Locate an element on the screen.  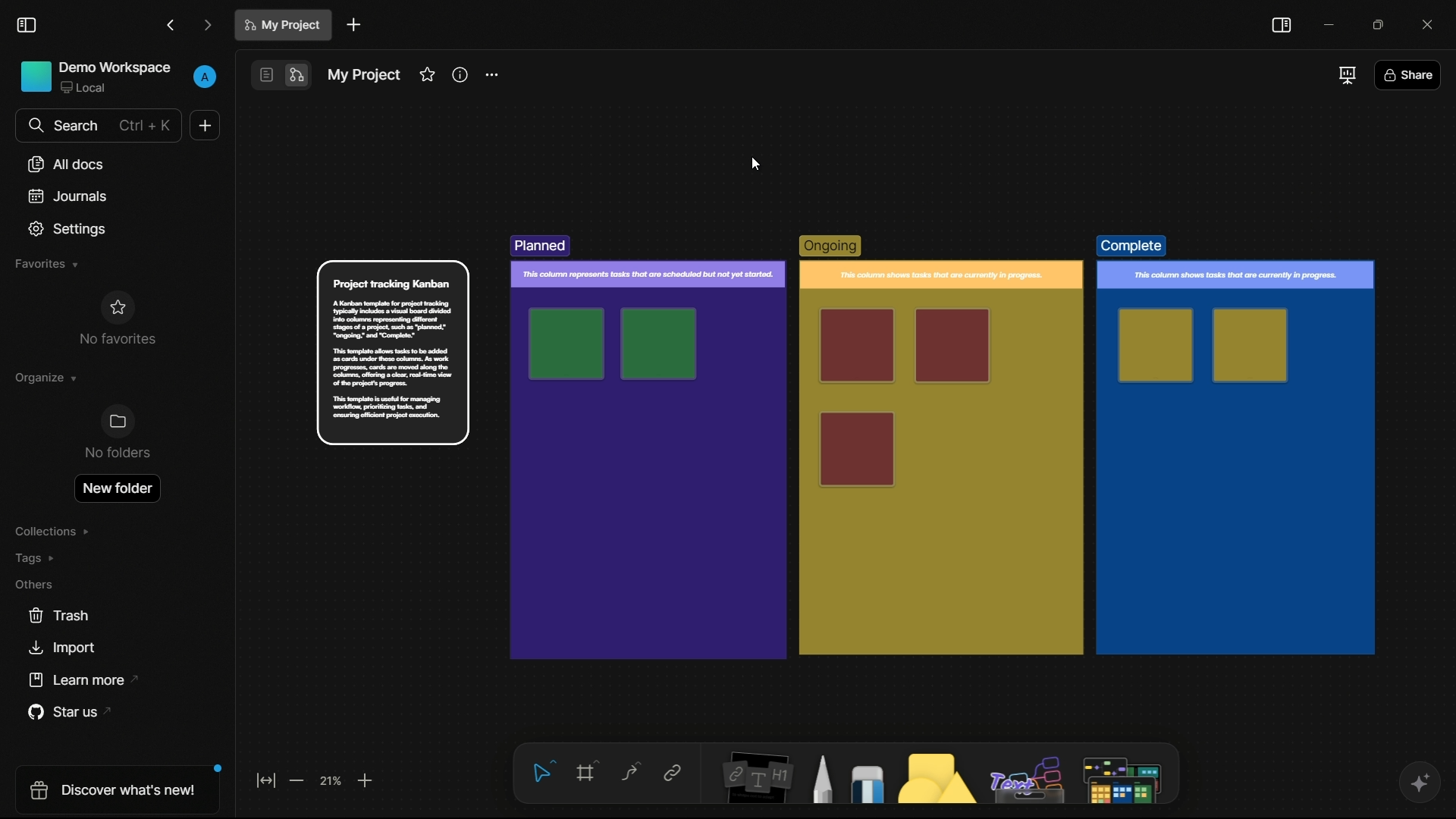
informations is located at coordinates (460, 74).